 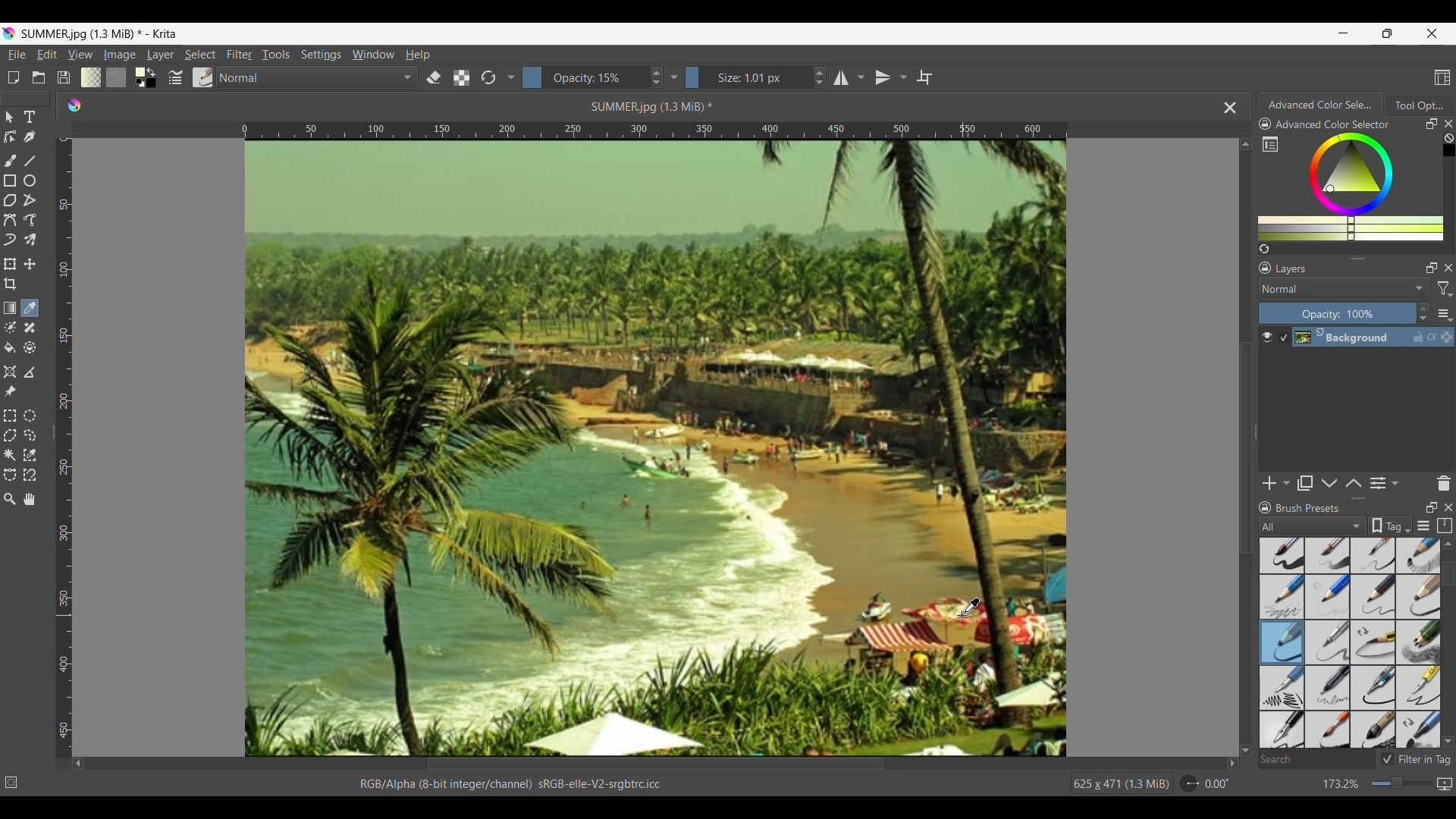 I want to click on Save, so click(x=63, y=77).